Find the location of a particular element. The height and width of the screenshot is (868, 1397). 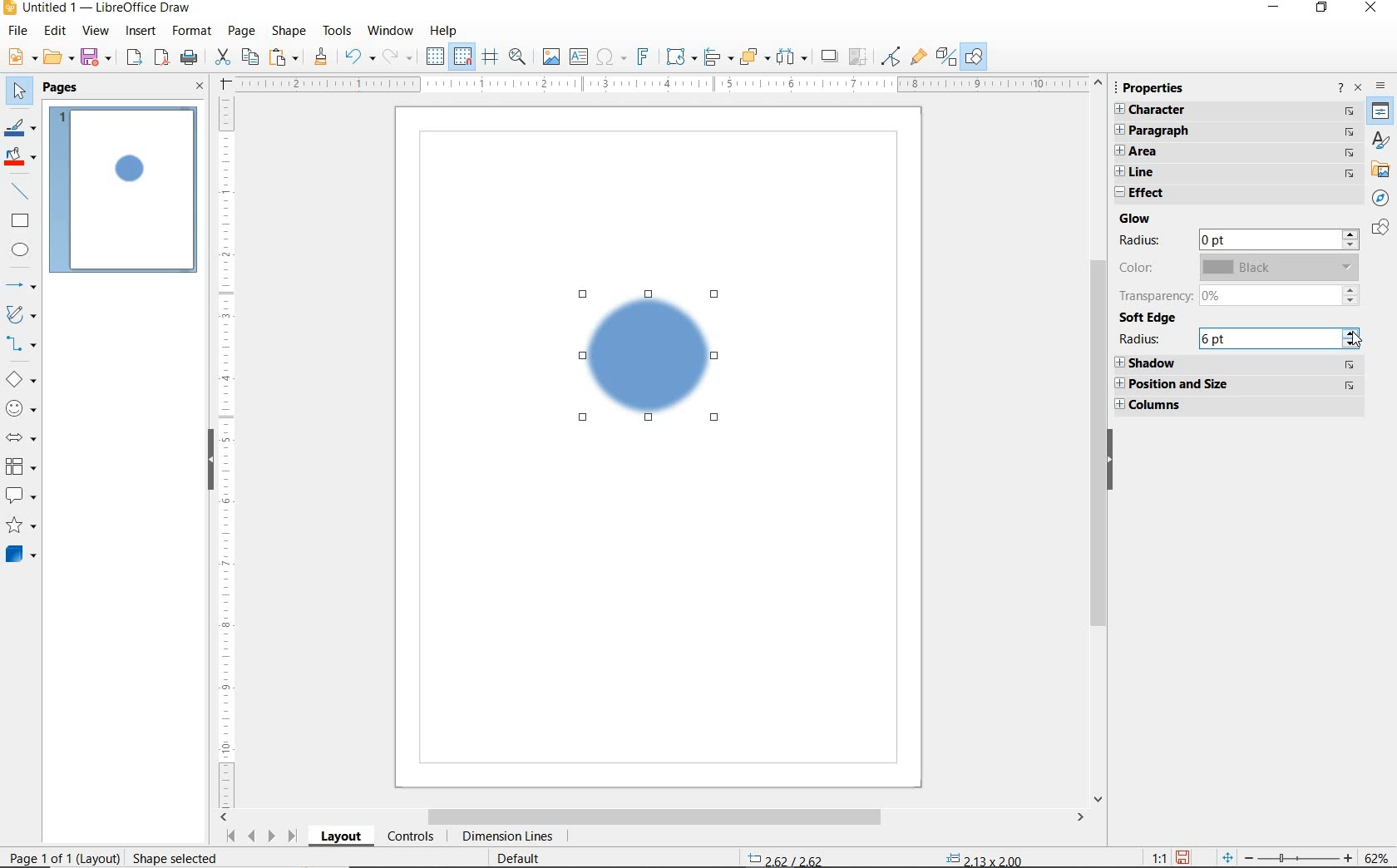

cursor is located at coordinates (1358, 343).